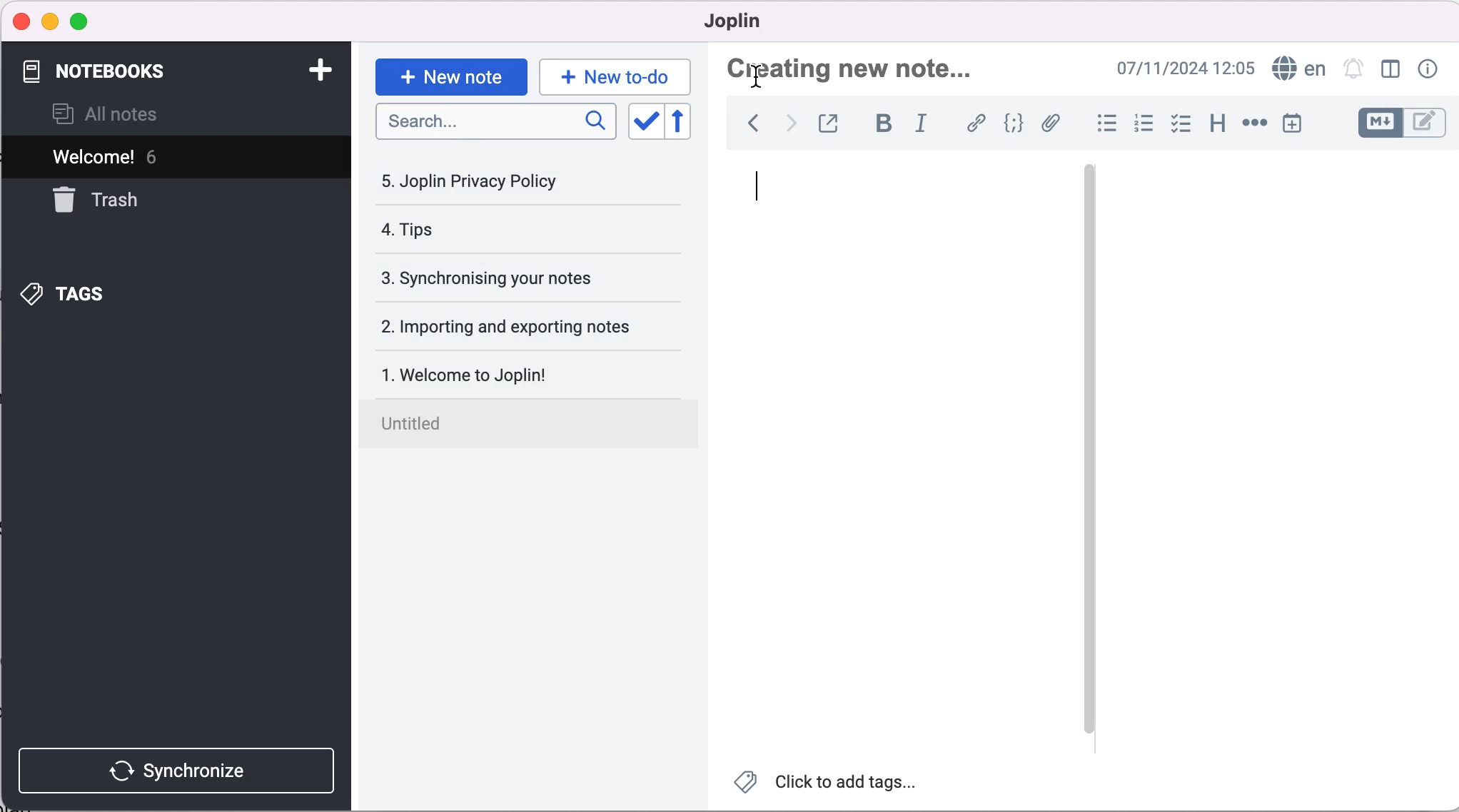  I want to click on insert time, so click(1293, 127).